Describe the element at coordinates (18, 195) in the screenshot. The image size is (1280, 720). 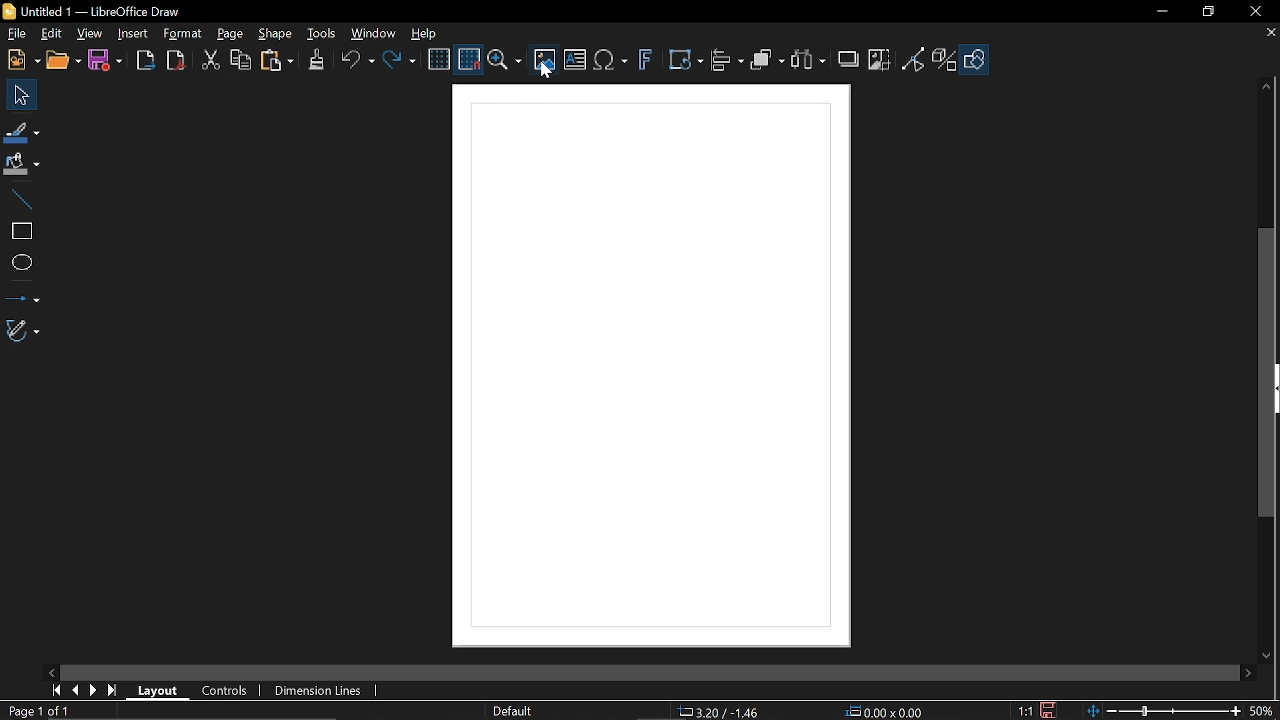
I see `Line` at that location.